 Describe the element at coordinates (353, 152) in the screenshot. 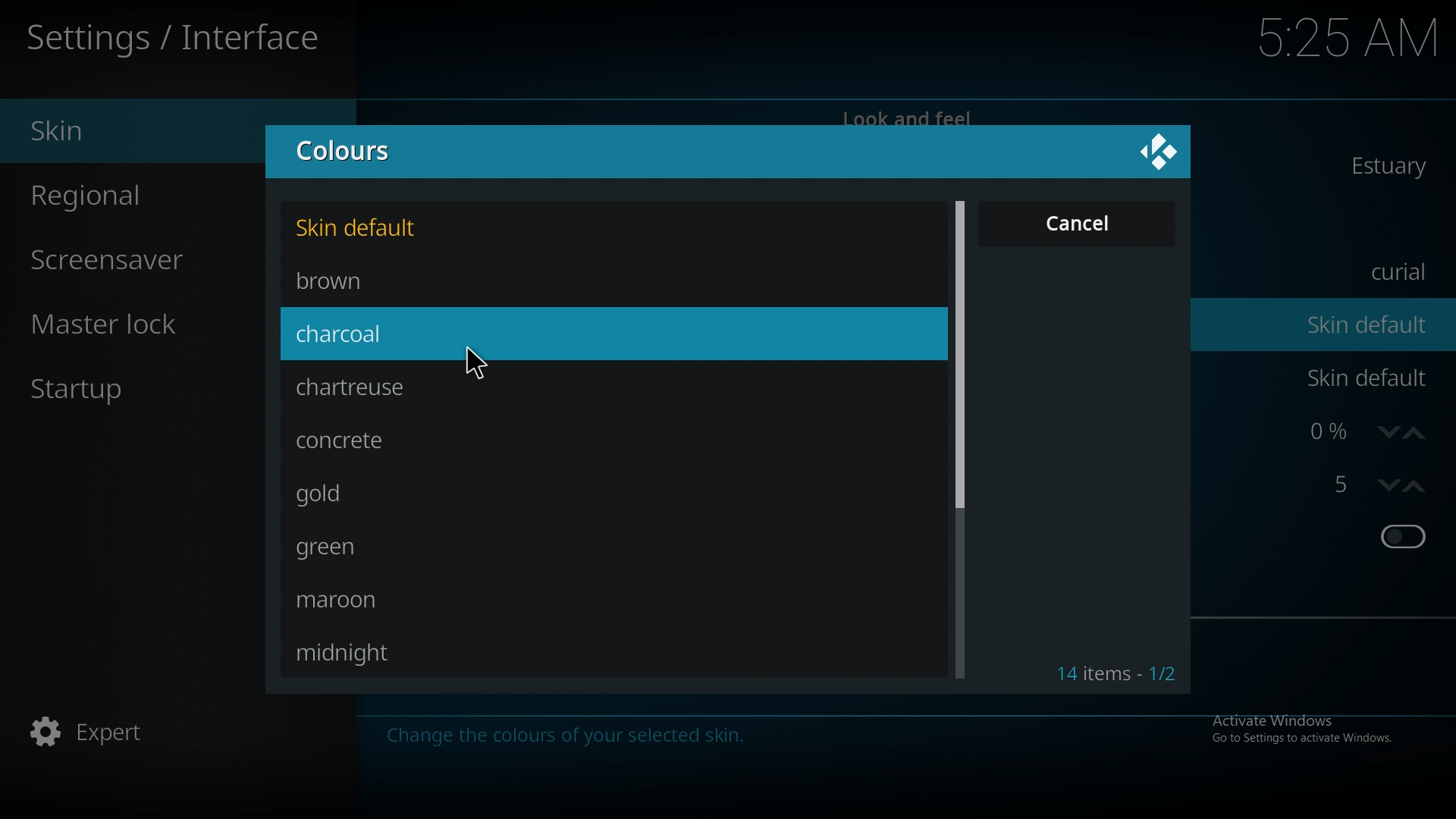

I see `colours` at that location.